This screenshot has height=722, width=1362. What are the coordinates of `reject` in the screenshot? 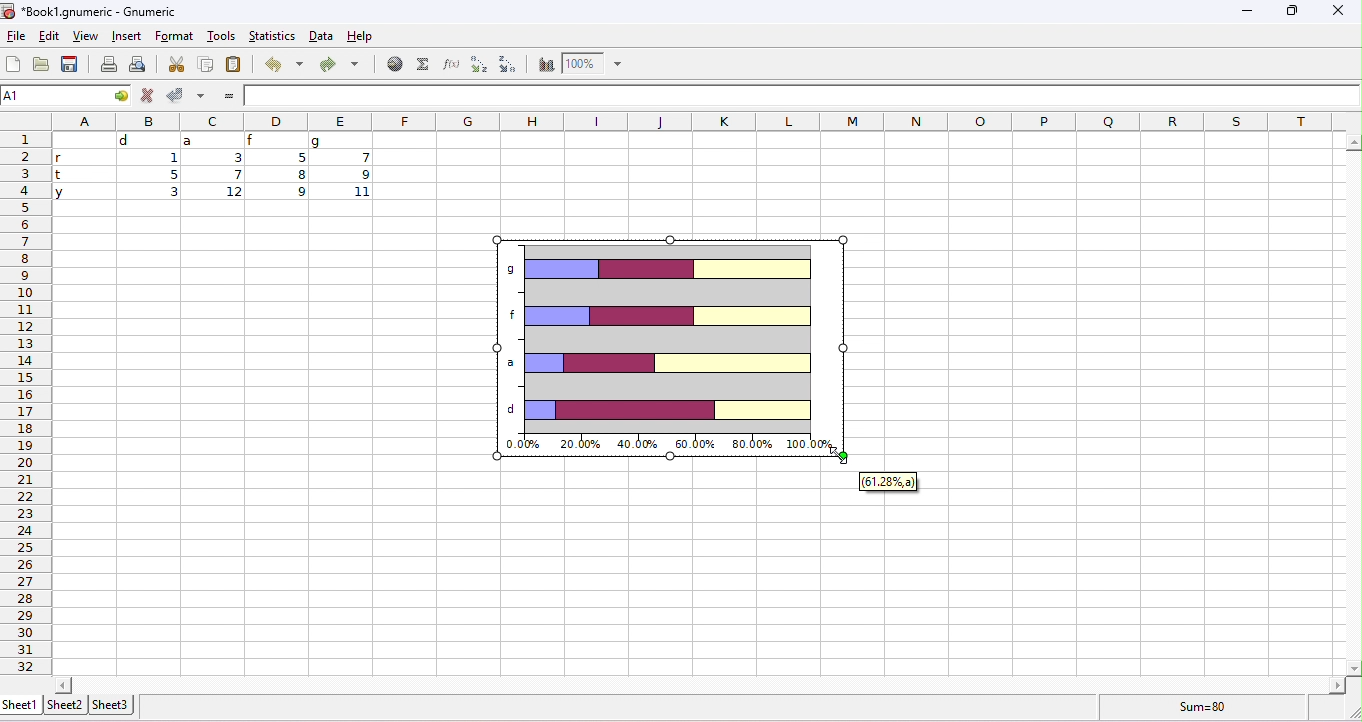 It's located at (146, 95).